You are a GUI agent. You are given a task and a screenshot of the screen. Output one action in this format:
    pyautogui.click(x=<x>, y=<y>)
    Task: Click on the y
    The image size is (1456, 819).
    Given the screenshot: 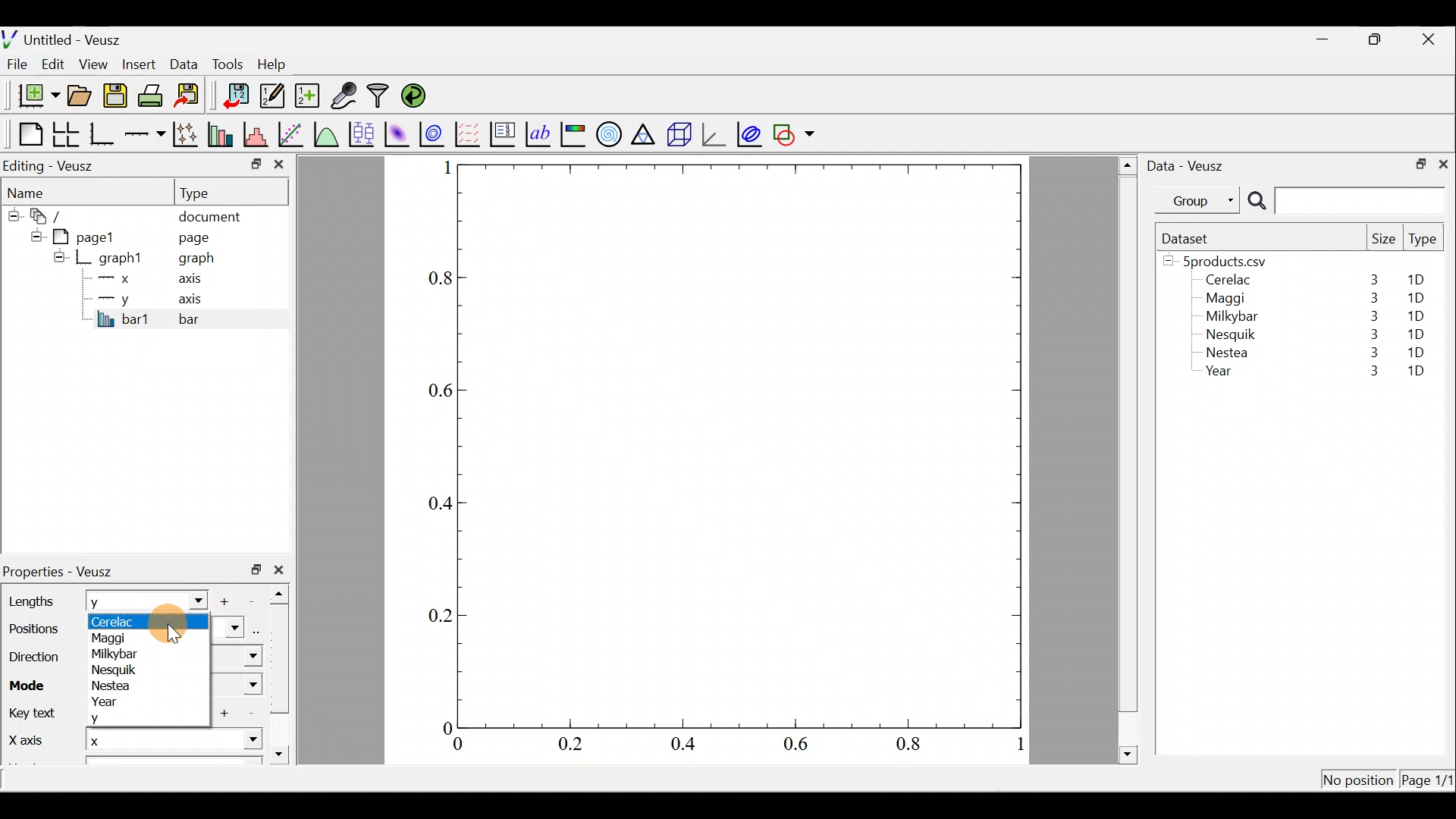 What is the action you would take?
    pyautogui.click(x=117, y=719)
    